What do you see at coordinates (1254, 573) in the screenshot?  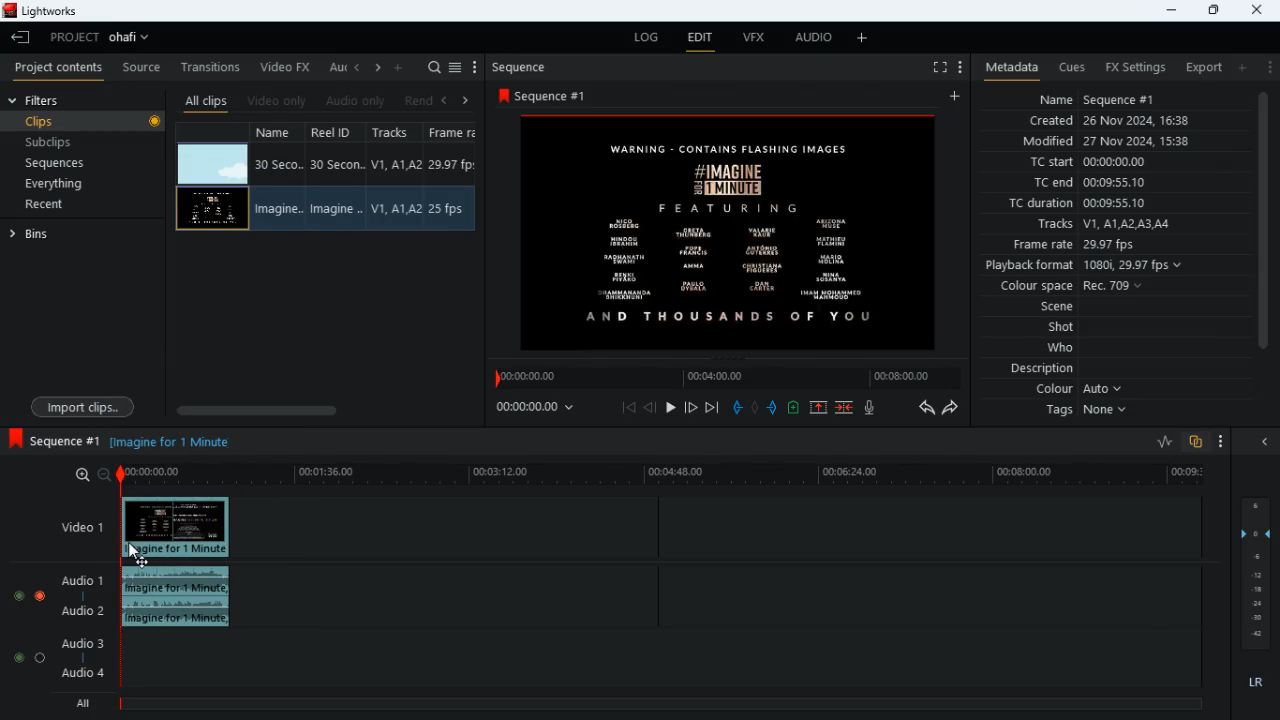 I see `layers` at bounding box center [1254, 573].